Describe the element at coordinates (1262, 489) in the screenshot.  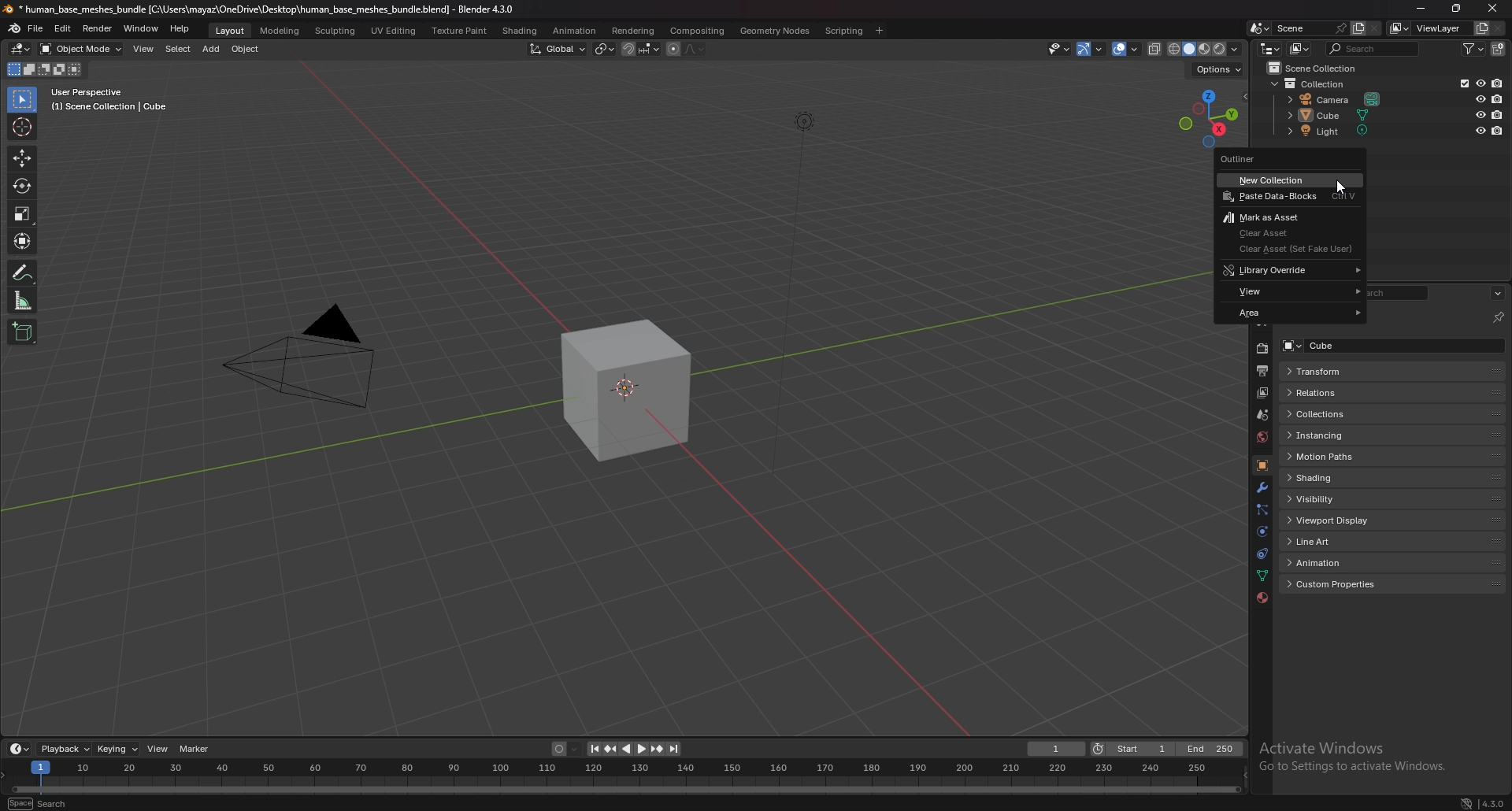
I see `modifier` at that location.